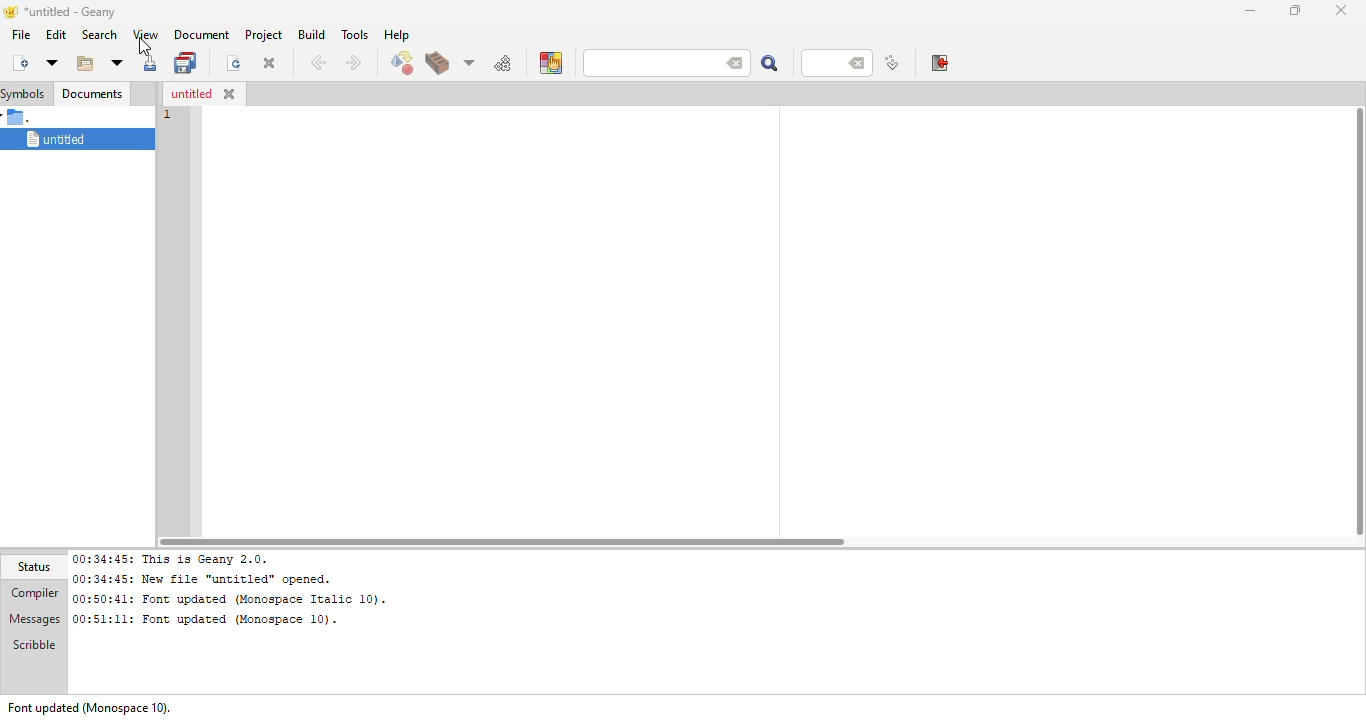 Image resolution: width=1366 pixels, height=720 pixels. What do you see at coordinates (22, 117) in the screenshot?
I see `.` at bounding box center [22, 117].